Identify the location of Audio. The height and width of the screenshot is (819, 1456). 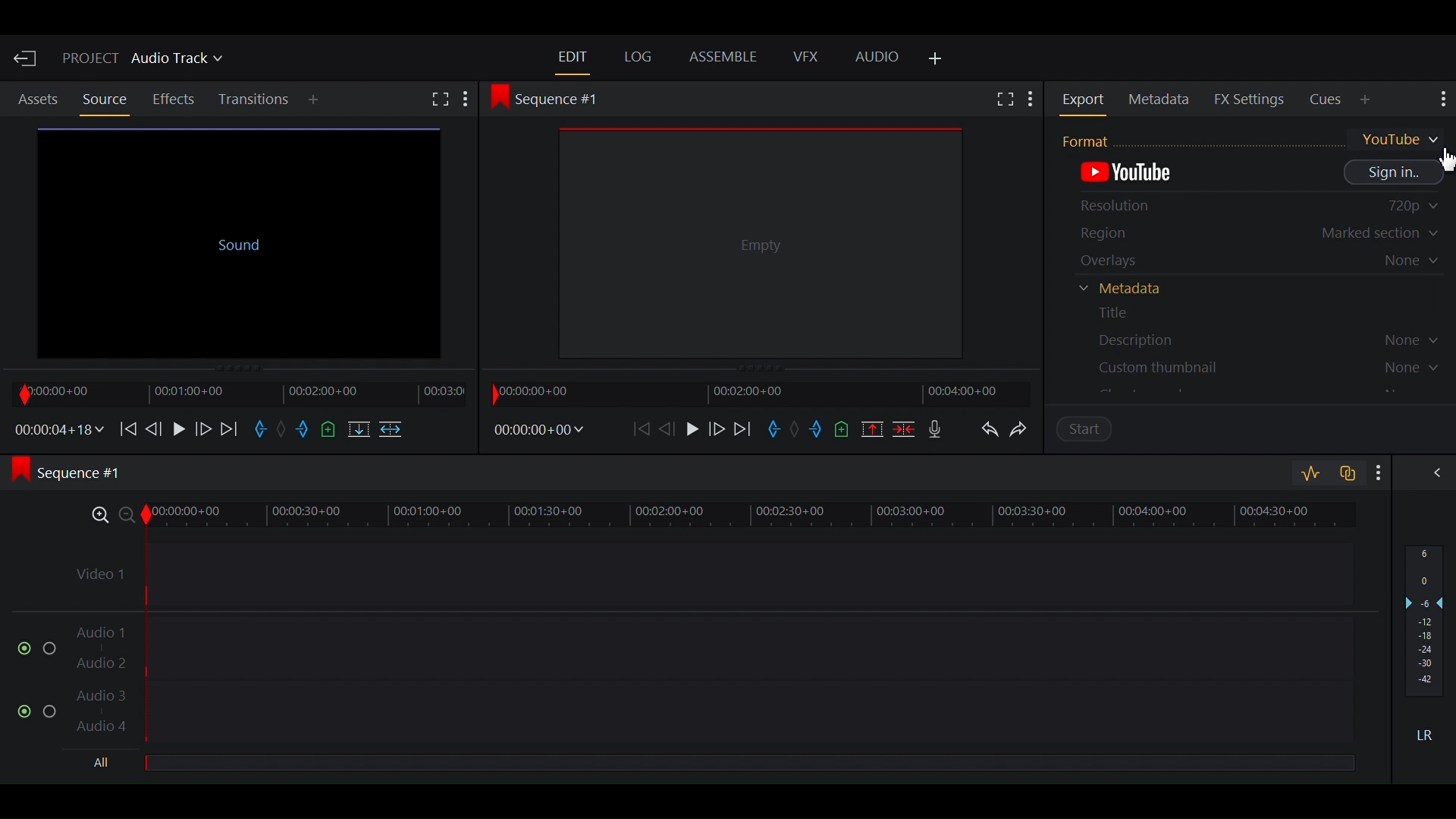
(877, 58).